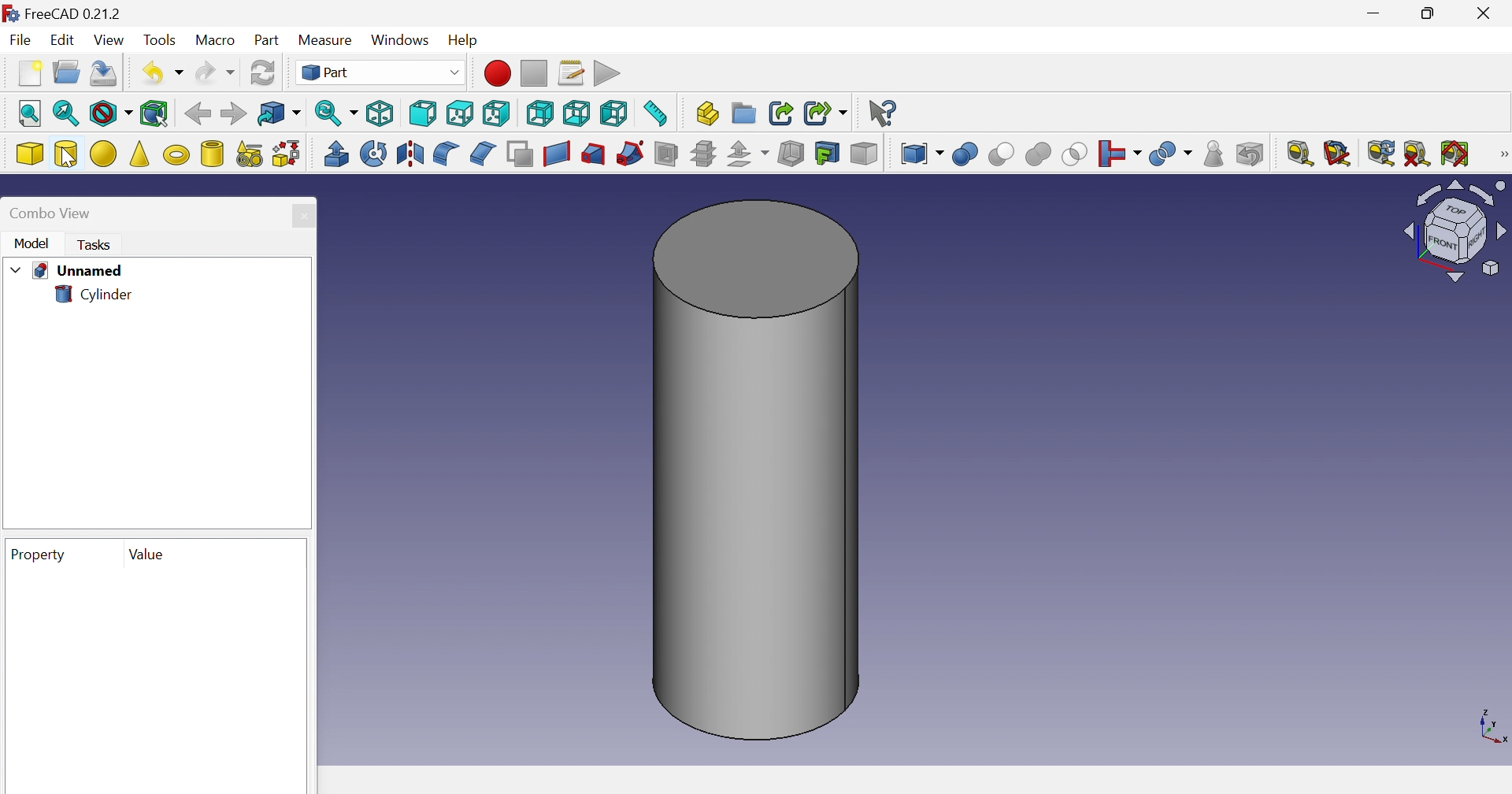 The height and width of the screenshot is (794, 1512). What do you see at coordinates (1337, 154) in the screenshot?
I see `Measure angular` at bounding box center [1337, 154].